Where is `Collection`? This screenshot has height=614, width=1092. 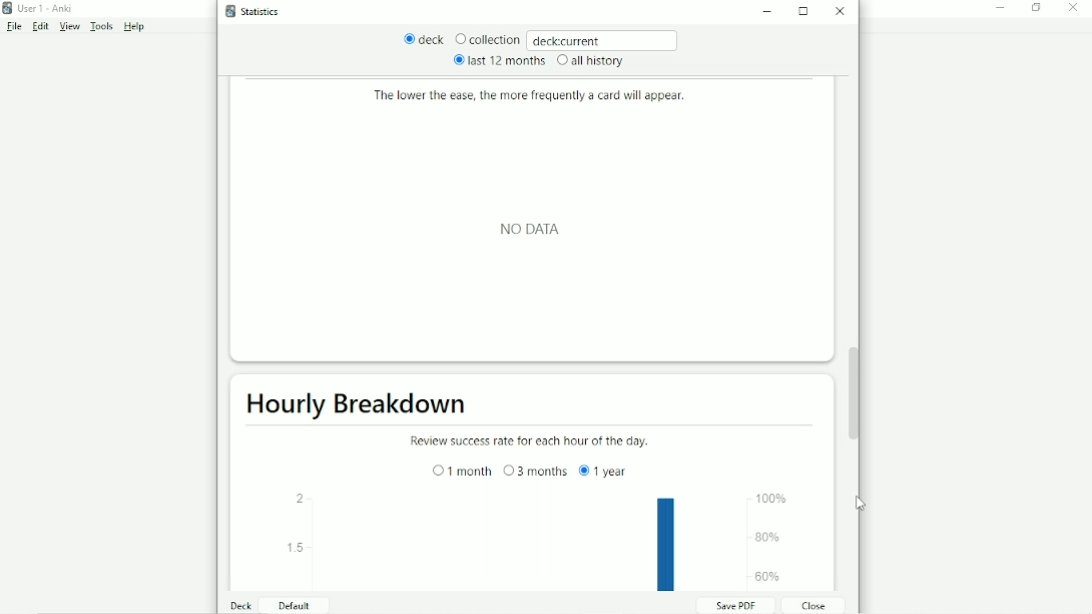
Collection is located at coordinates (487, 40).